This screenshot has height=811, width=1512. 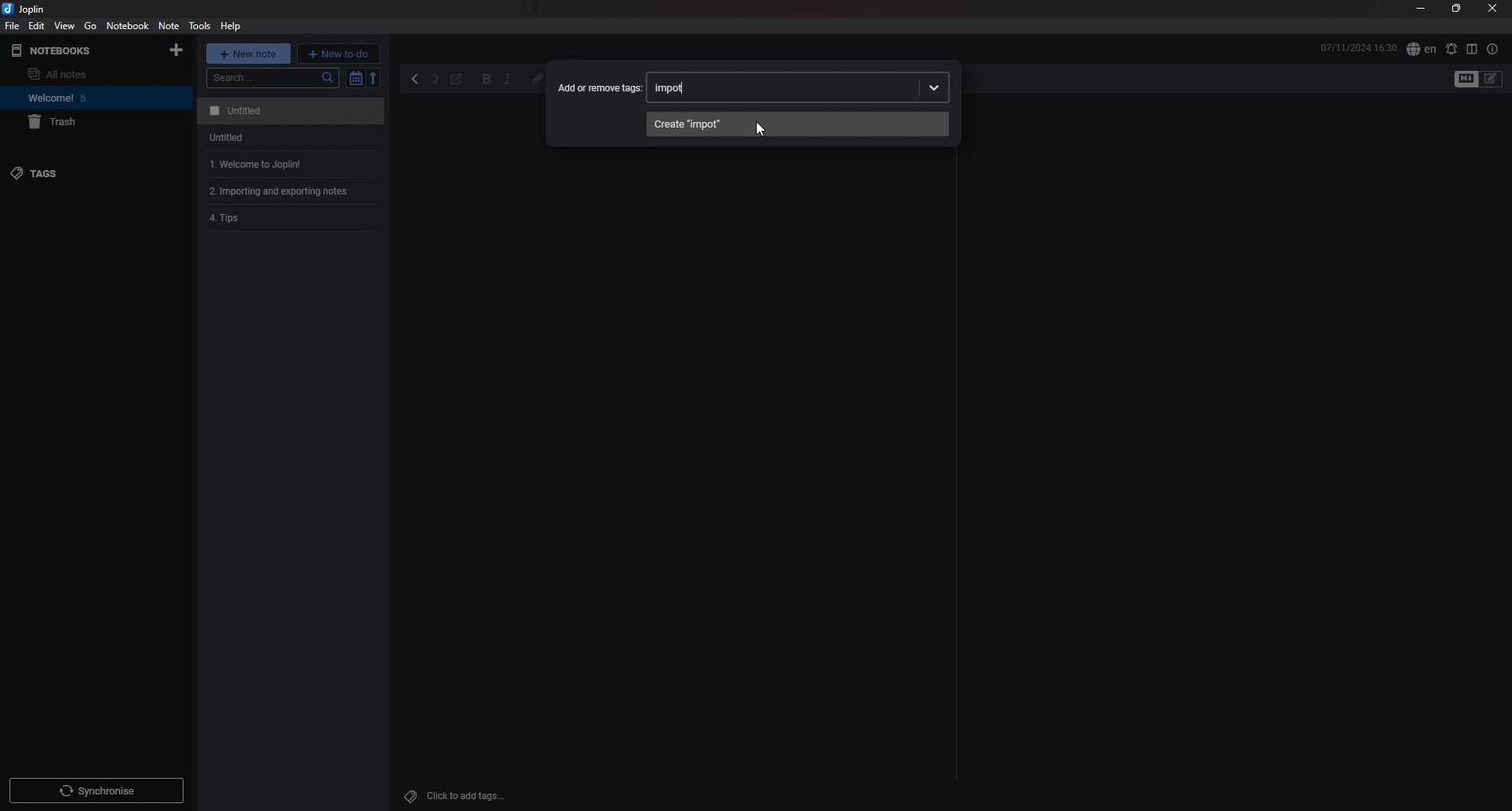 What do you see at coordinates (27, 9) in the screenshot?
I see `joplin` at bounding box center [27, 9].